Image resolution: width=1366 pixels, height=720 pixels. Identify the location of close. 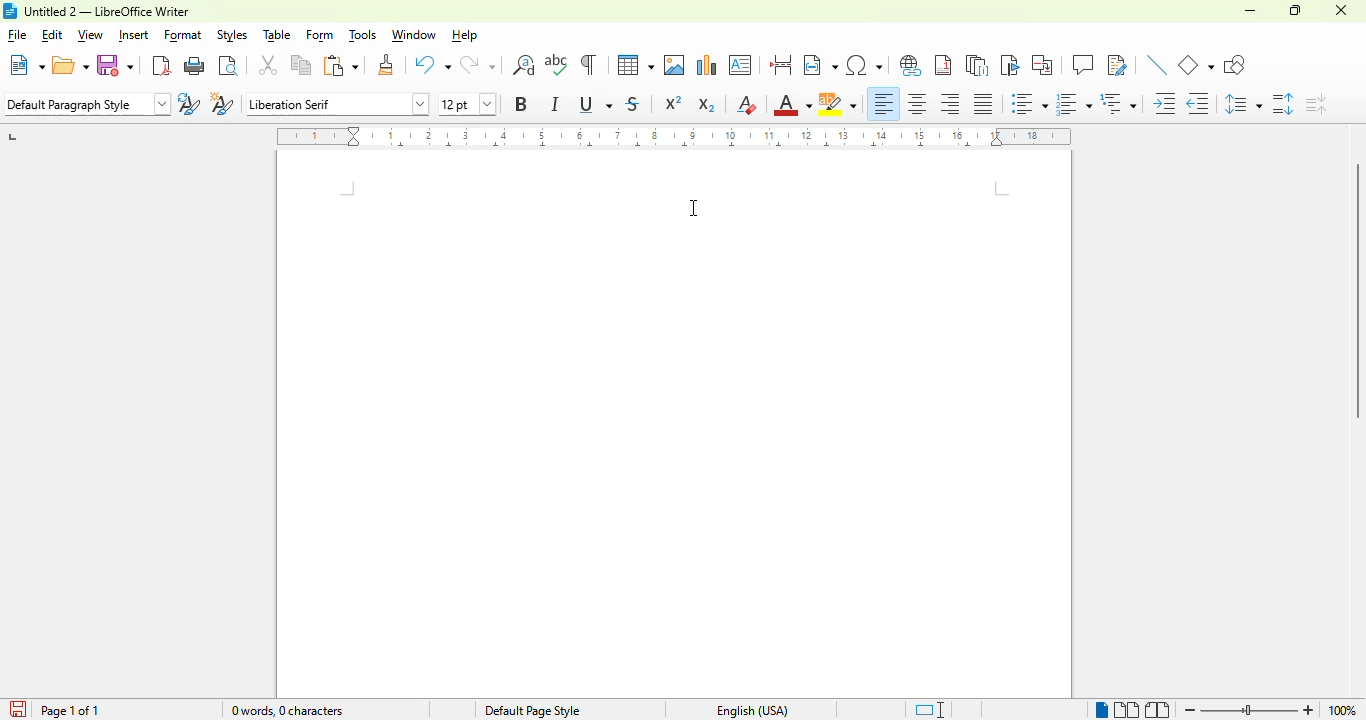
(1340, 10).